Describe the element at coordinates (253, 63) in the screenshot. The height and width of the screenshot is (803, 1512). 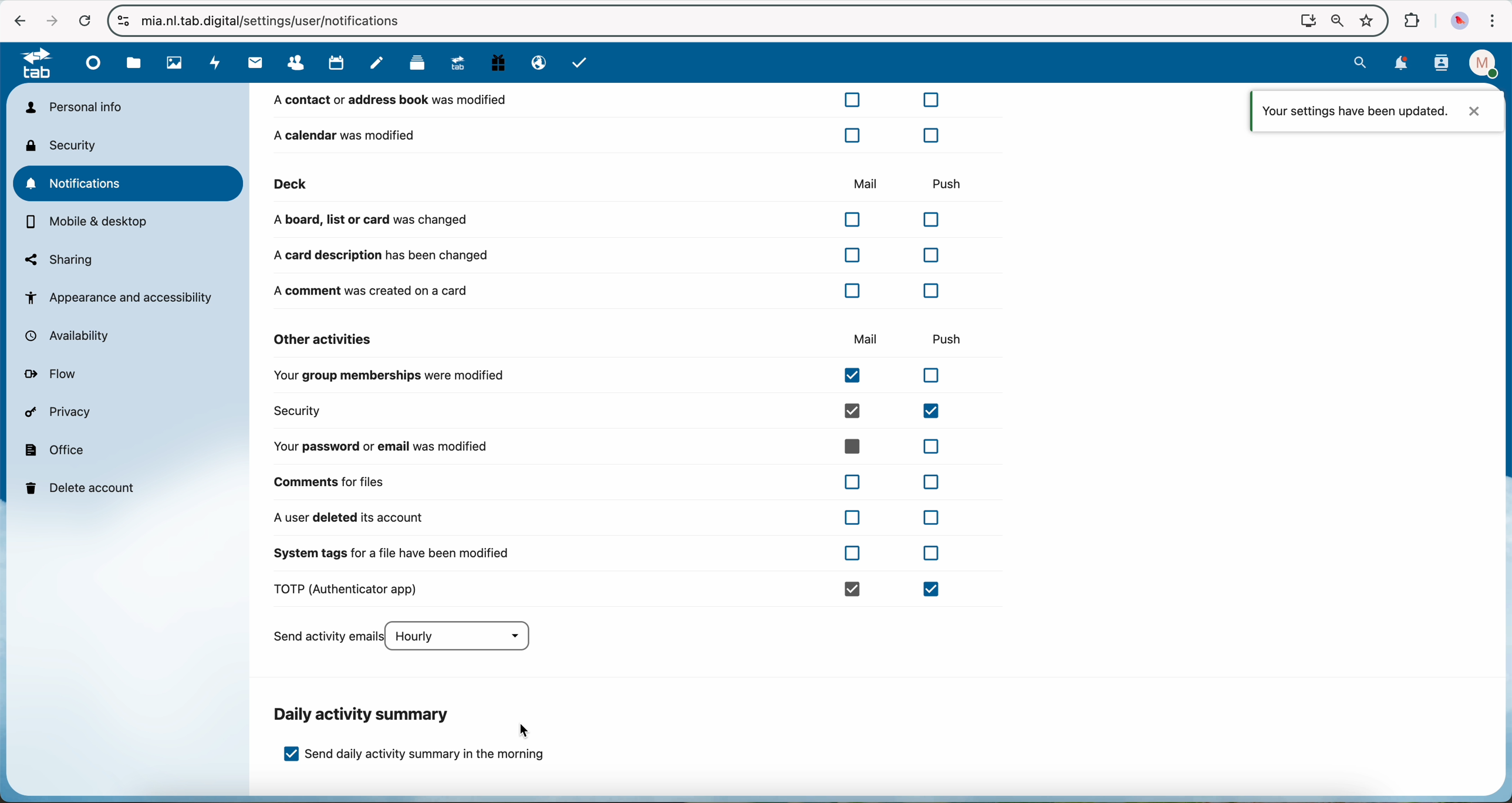
I see `mail` at that location.